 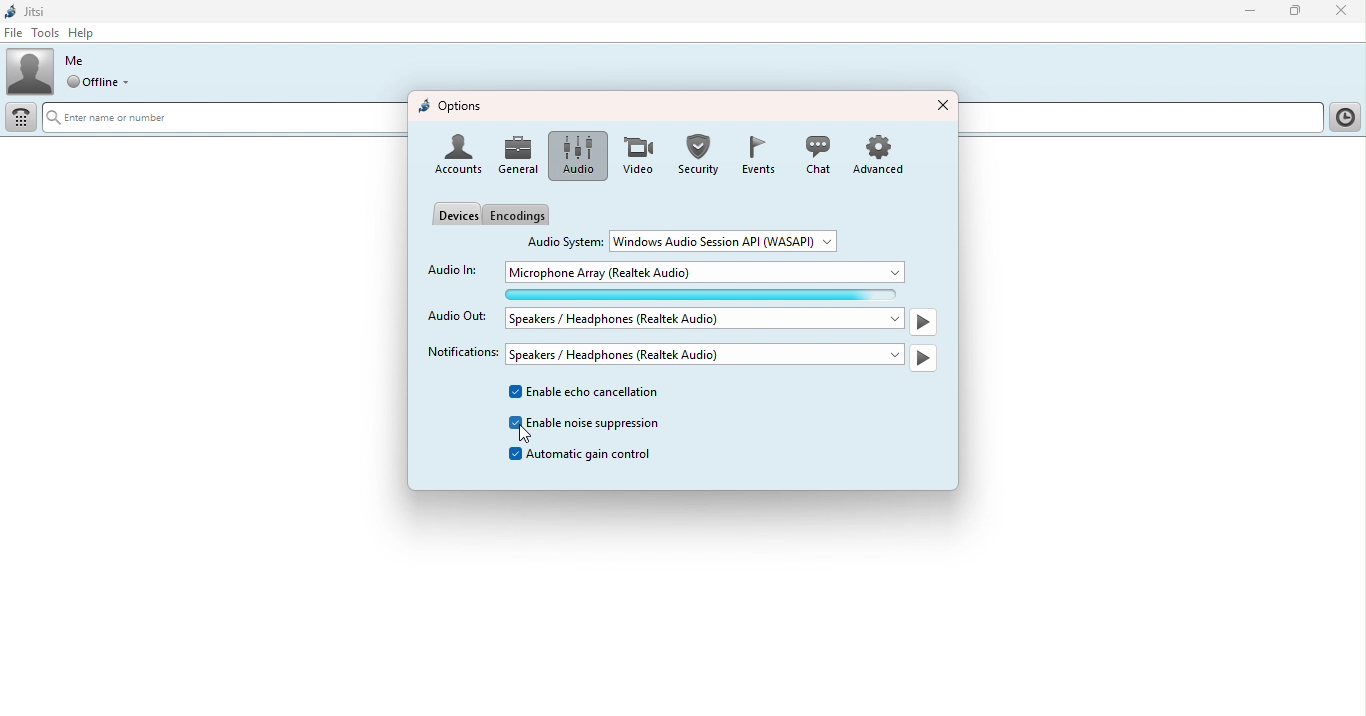 I want to click on Enable noise suppression, so click(x=589, y=424).